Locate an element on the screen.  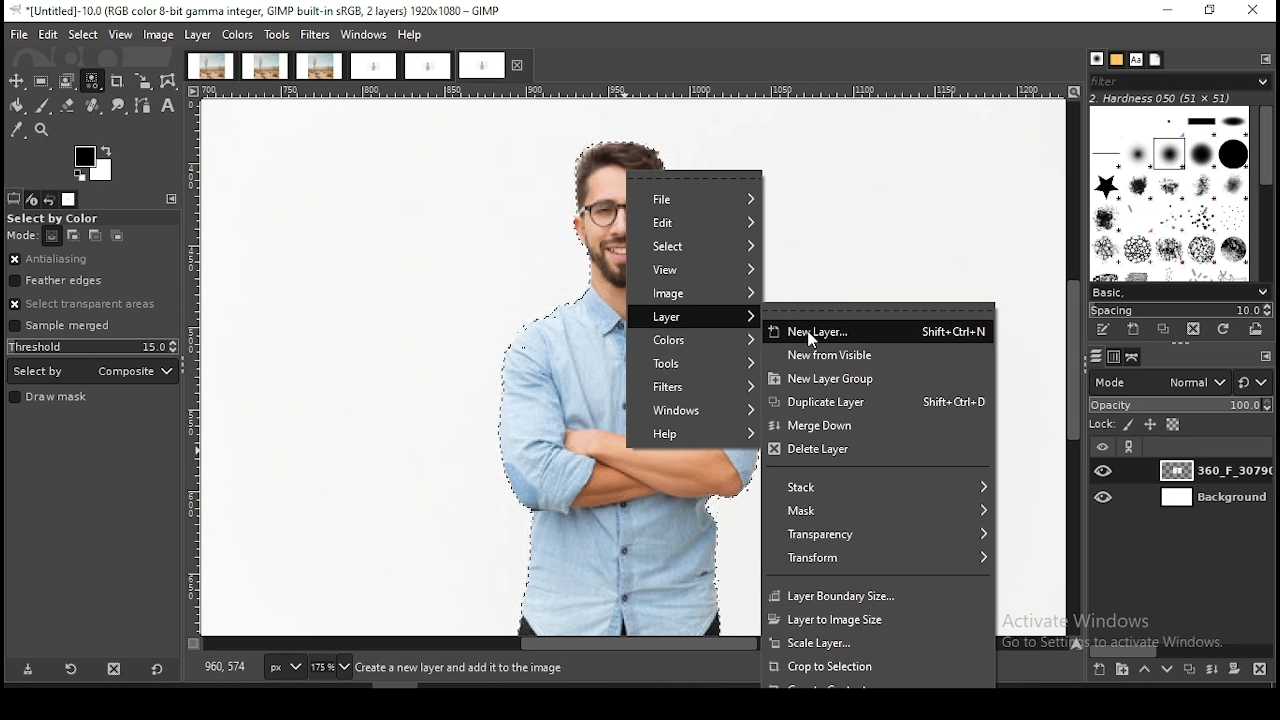
delete layer is located at coordinates (876, 451).